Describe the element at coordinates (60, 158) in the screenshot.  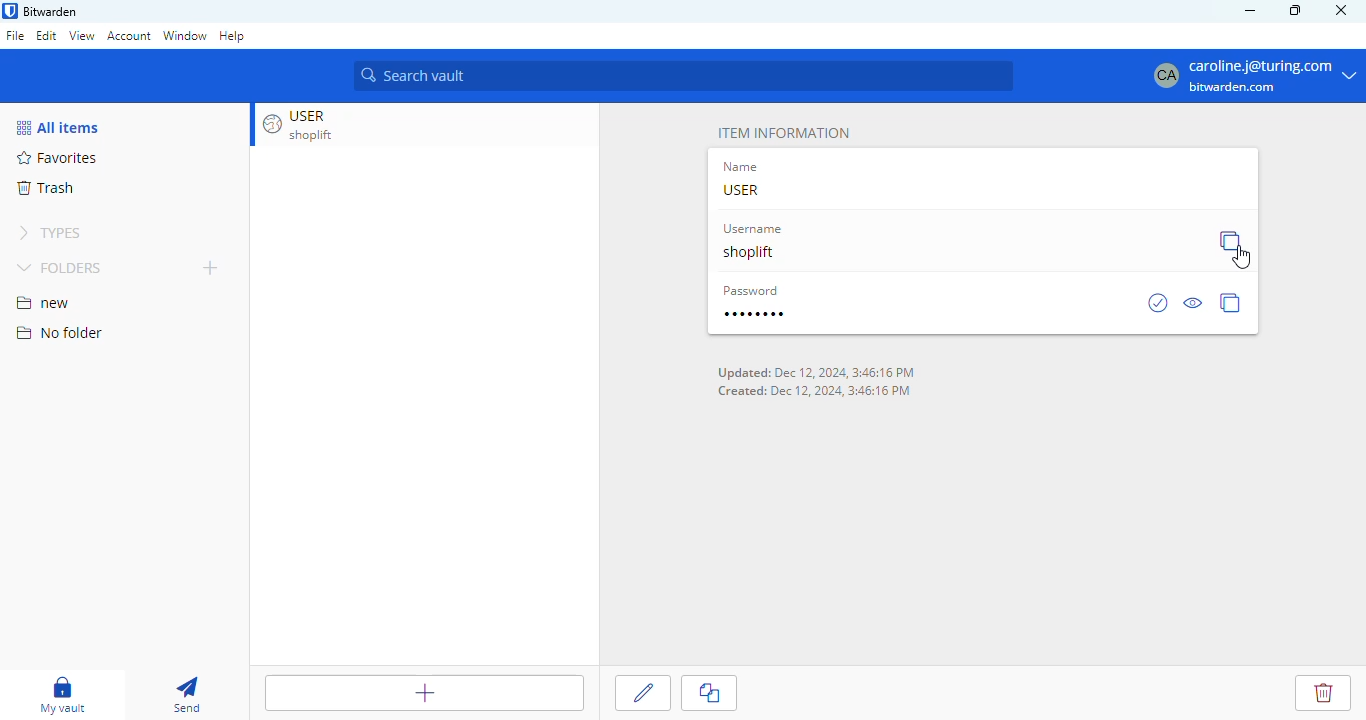
I see `favorites` at that location.